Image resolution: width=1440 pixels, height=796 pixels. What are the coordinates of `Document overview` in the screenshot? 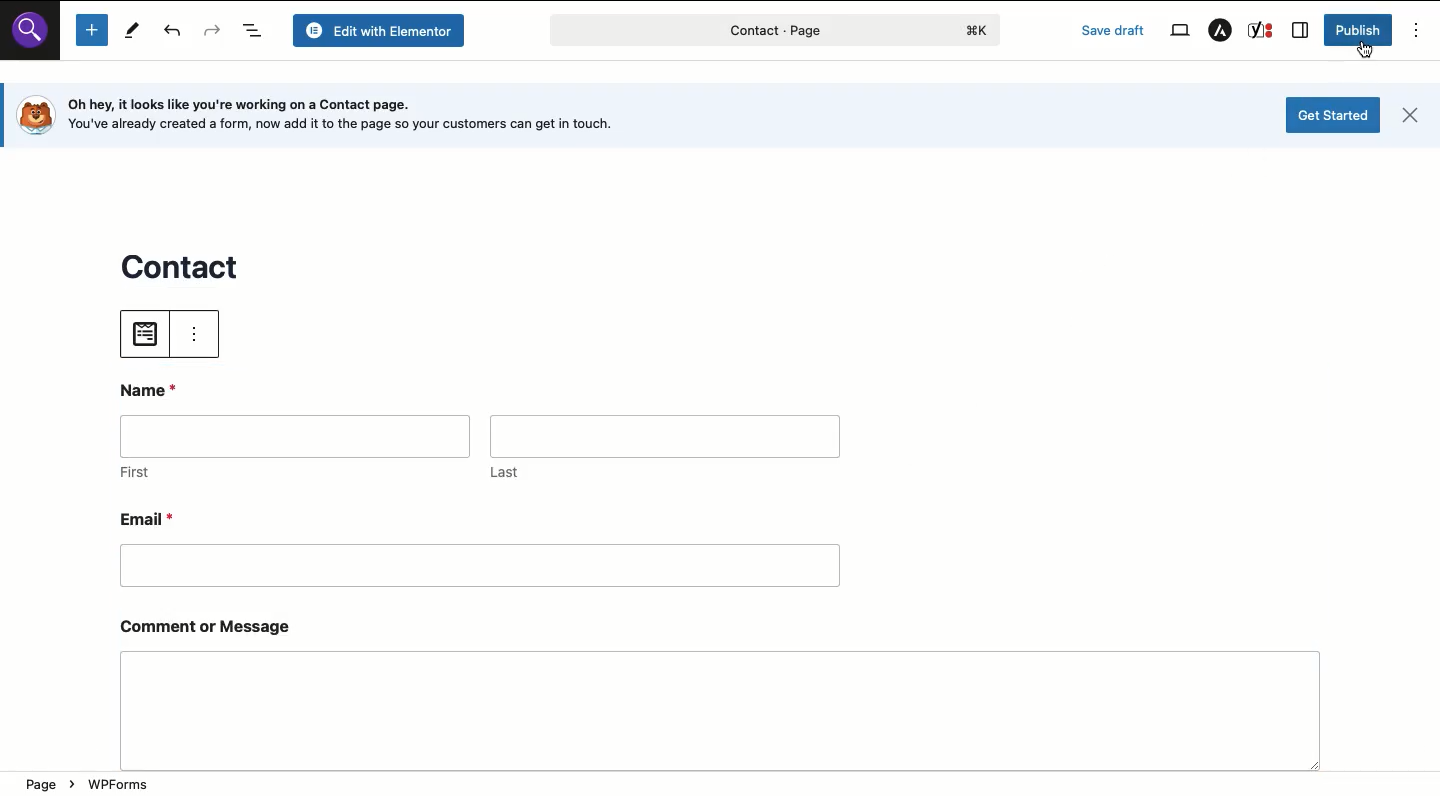 It's located at (255, 31).